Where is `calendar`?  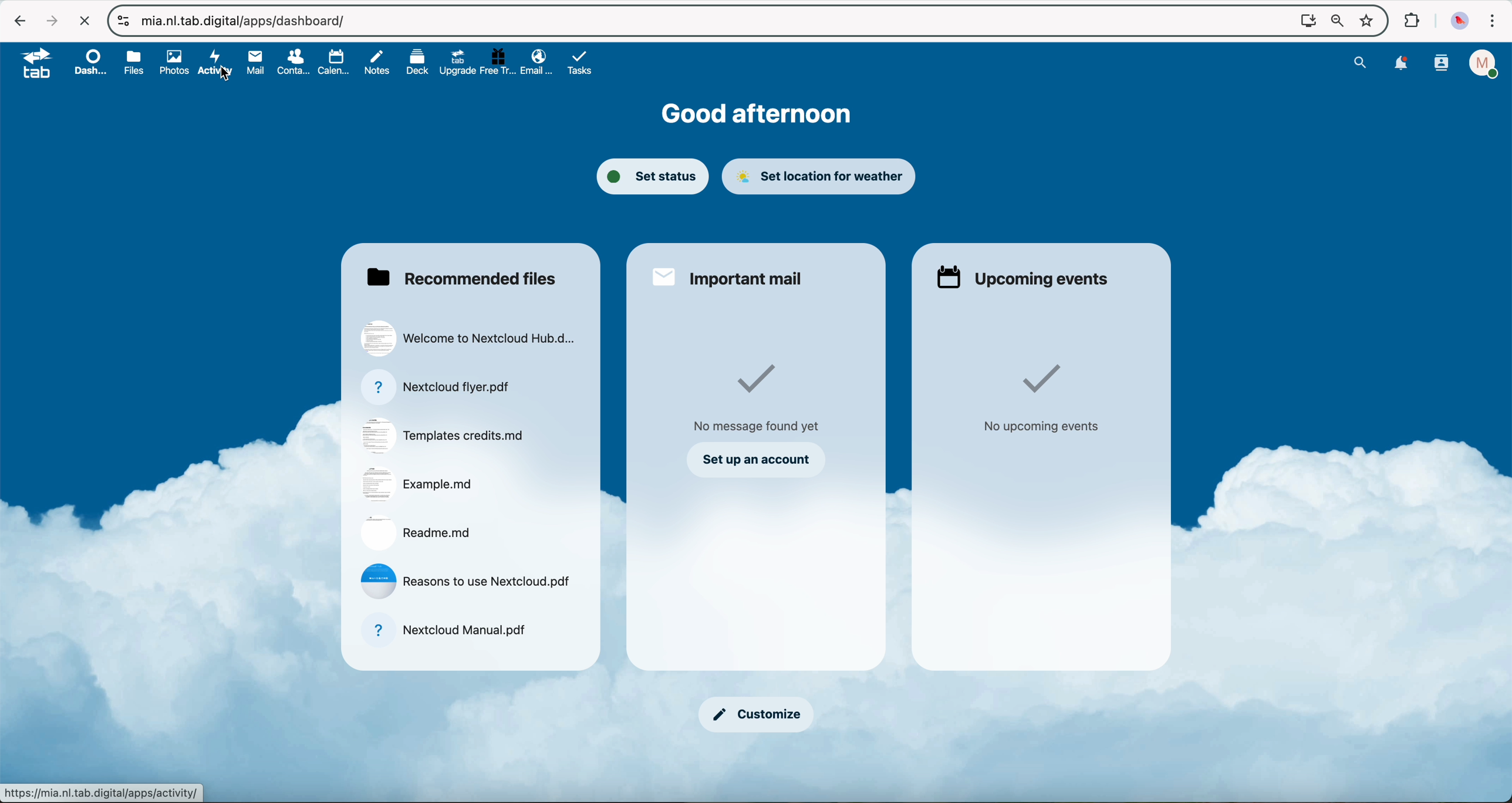
calendar is located at coordinates (332, 62).